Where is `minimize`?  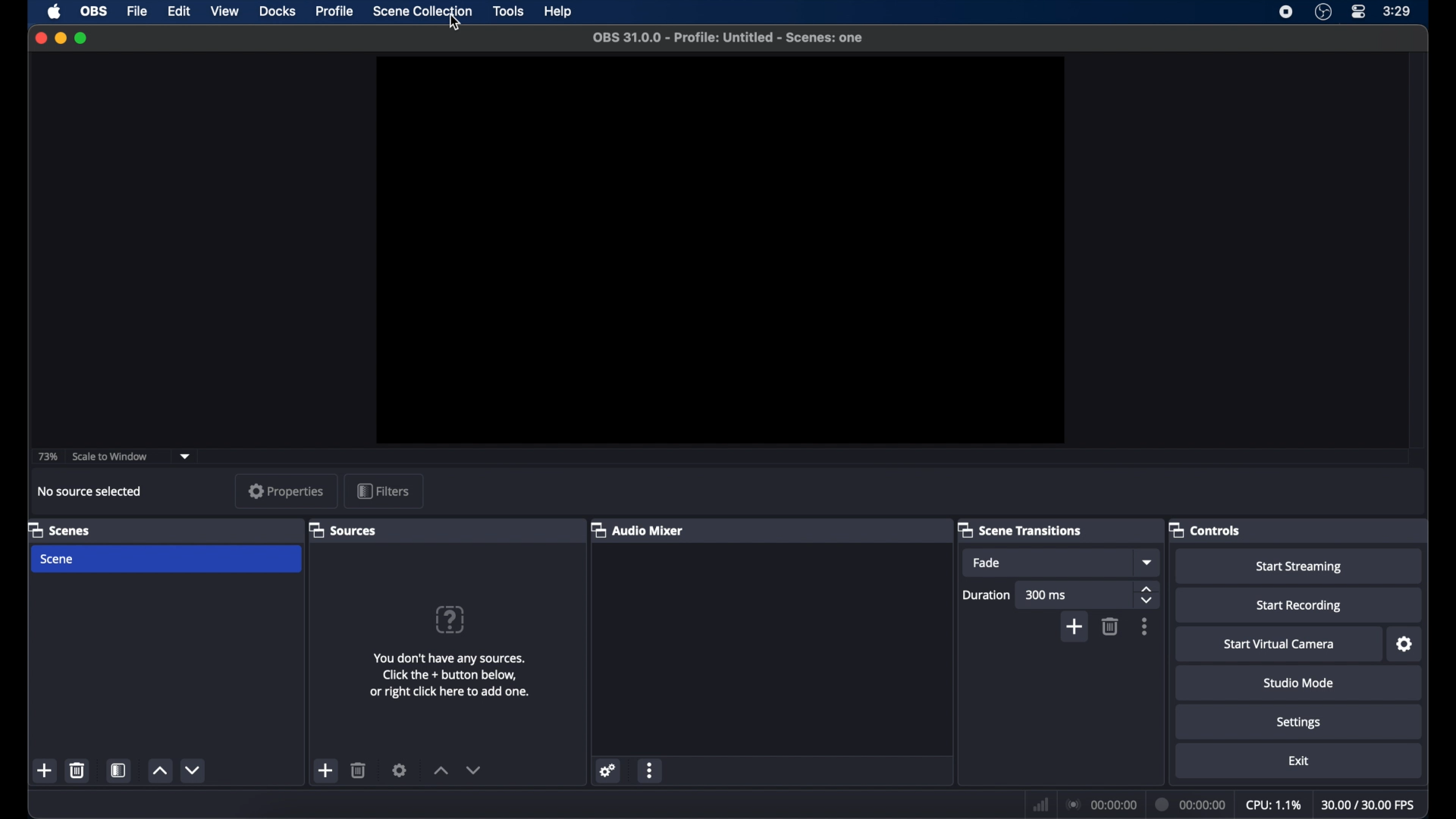 minimize is located at coordinates (60, 38).